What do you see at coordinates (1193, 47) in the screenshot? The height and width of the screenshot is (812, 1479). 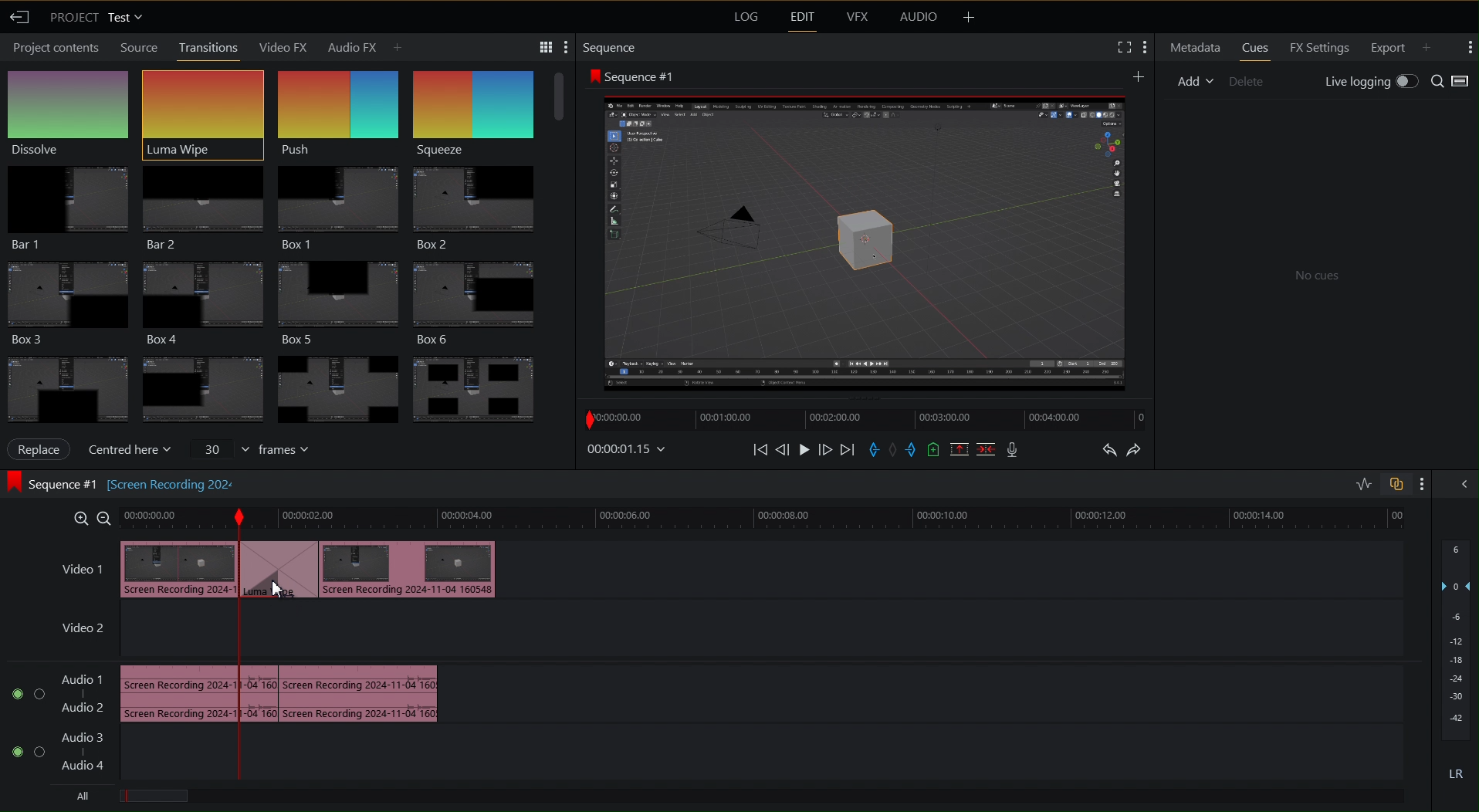 I see `Metadata` at bounding box center [1193, 47].